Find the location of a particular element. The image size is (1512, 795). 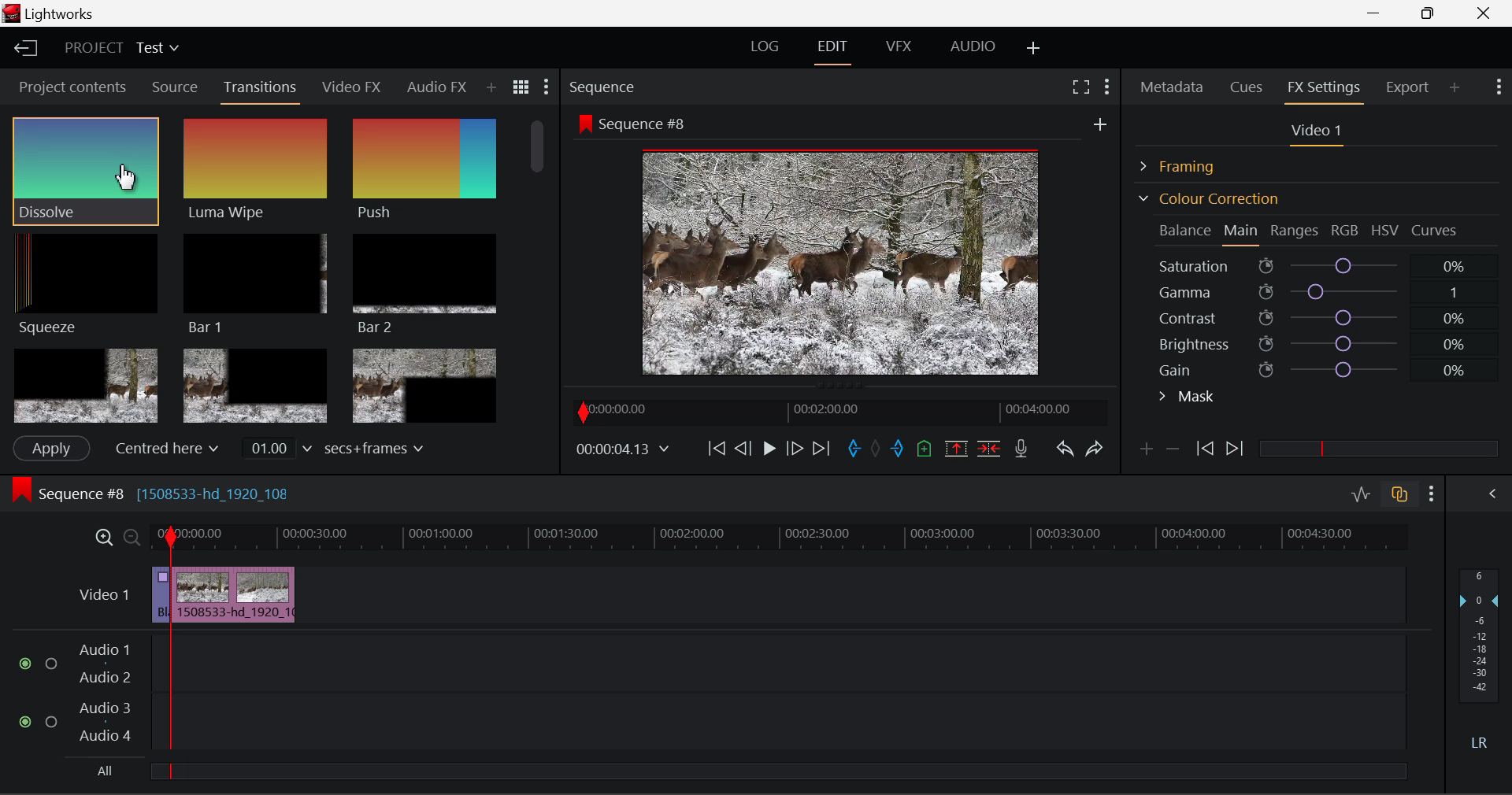

Brightness is located at coordinates (1318, 341).